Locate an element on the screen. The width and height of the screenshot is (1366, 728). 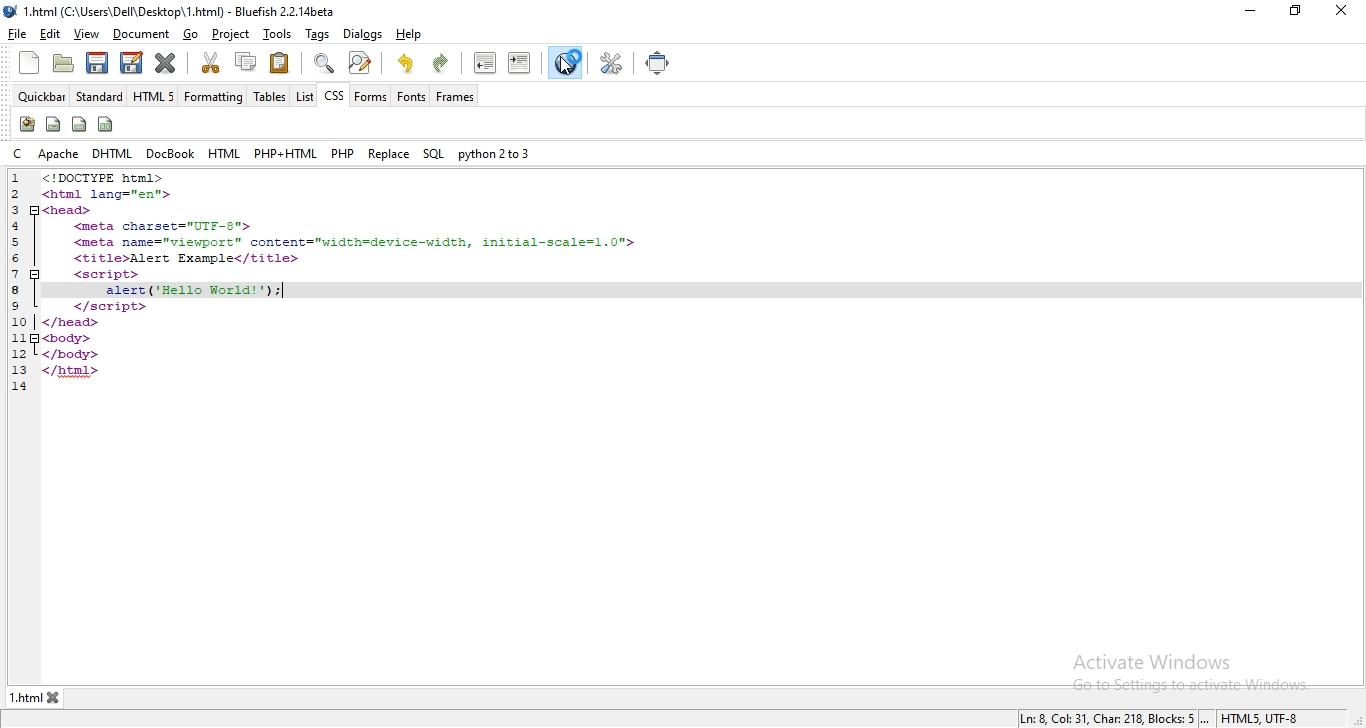
Activate Windows is located at coordinates (1151, 661).